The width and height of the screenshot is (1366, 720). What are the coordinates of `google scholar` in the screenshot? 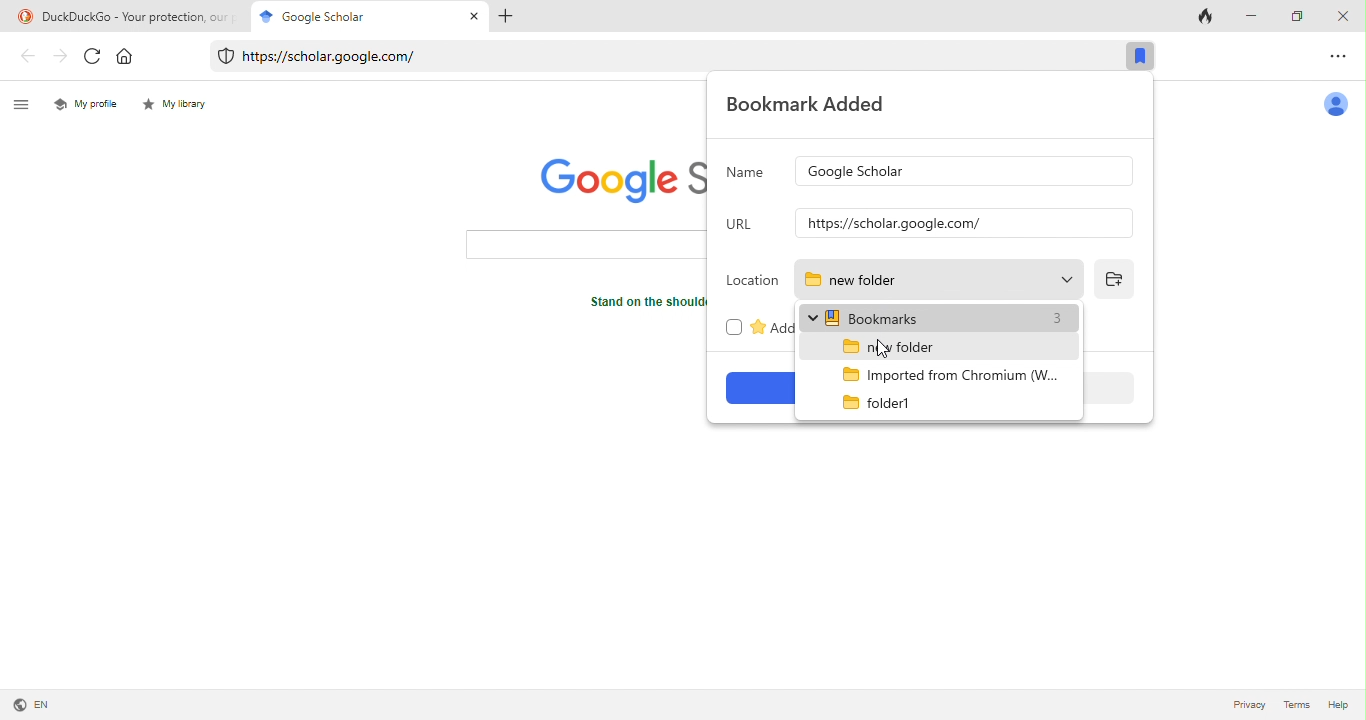 It's located at (964, 171).